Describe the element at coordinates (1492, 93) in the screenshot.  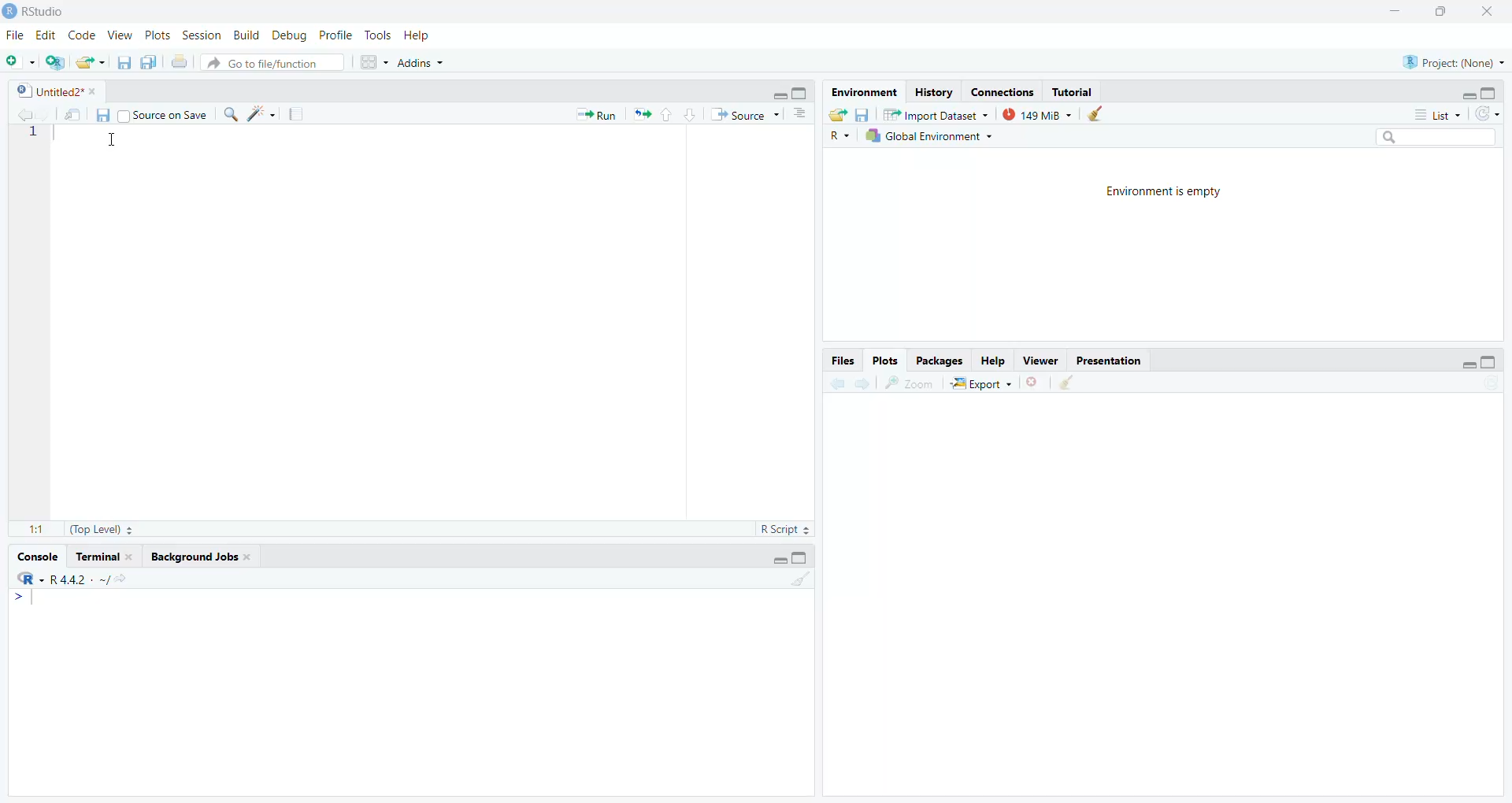
I see `Maximize` at that location.